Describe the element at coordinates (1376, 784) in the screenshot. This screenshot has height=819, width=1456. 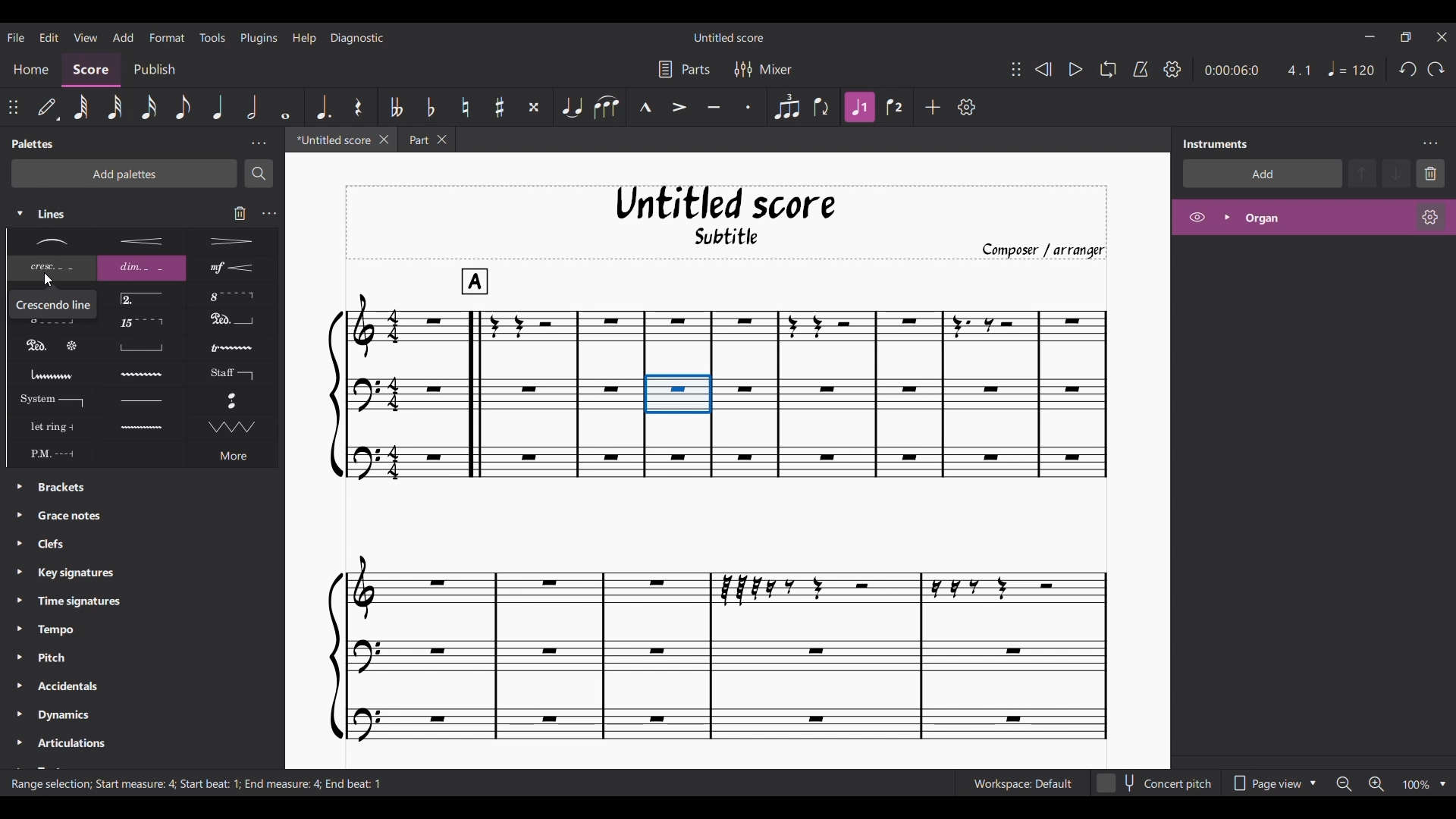
I see `Zoom in` at that location.